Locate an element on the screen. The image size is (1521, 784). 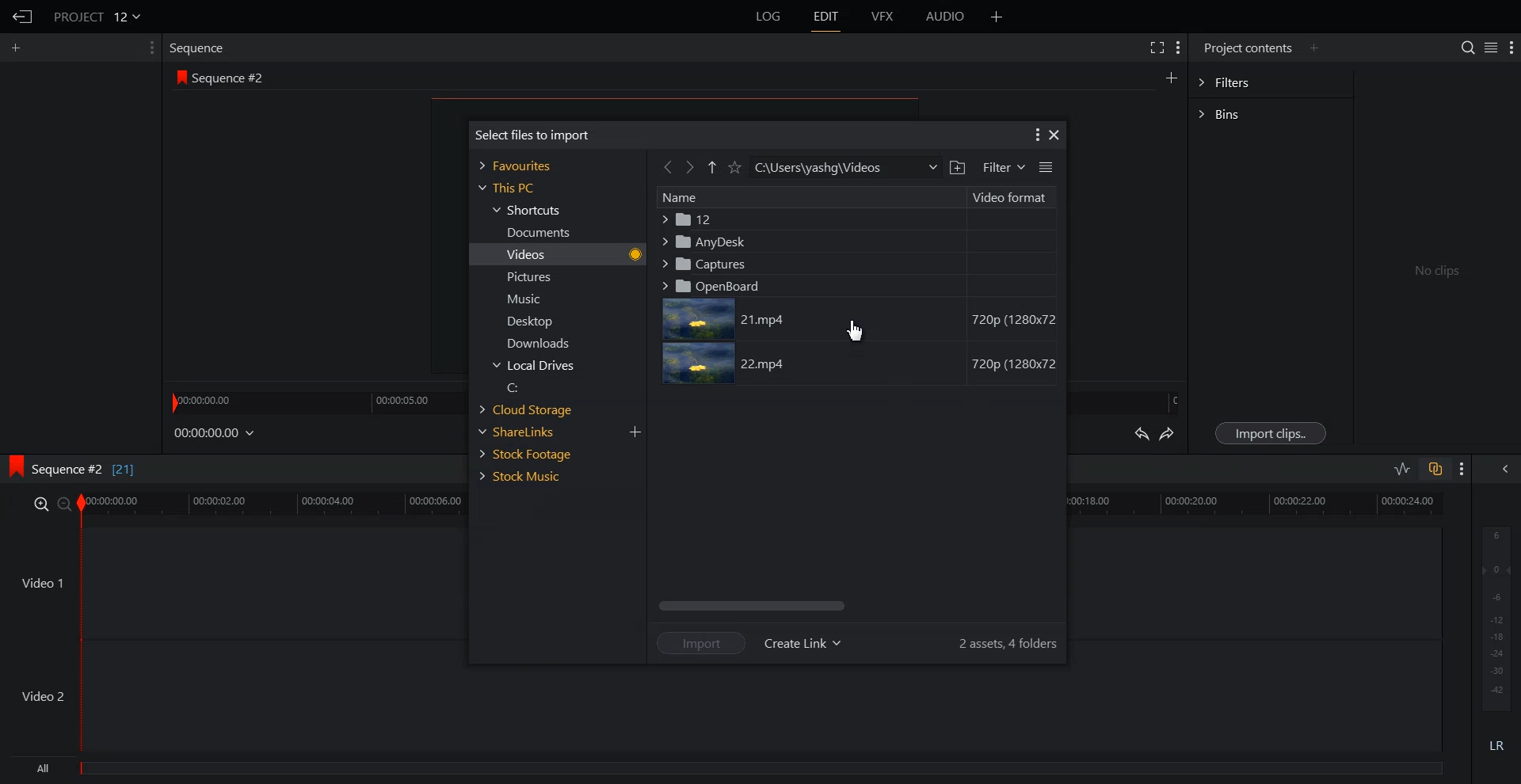
Favorites is located at coordinates (518, 165).